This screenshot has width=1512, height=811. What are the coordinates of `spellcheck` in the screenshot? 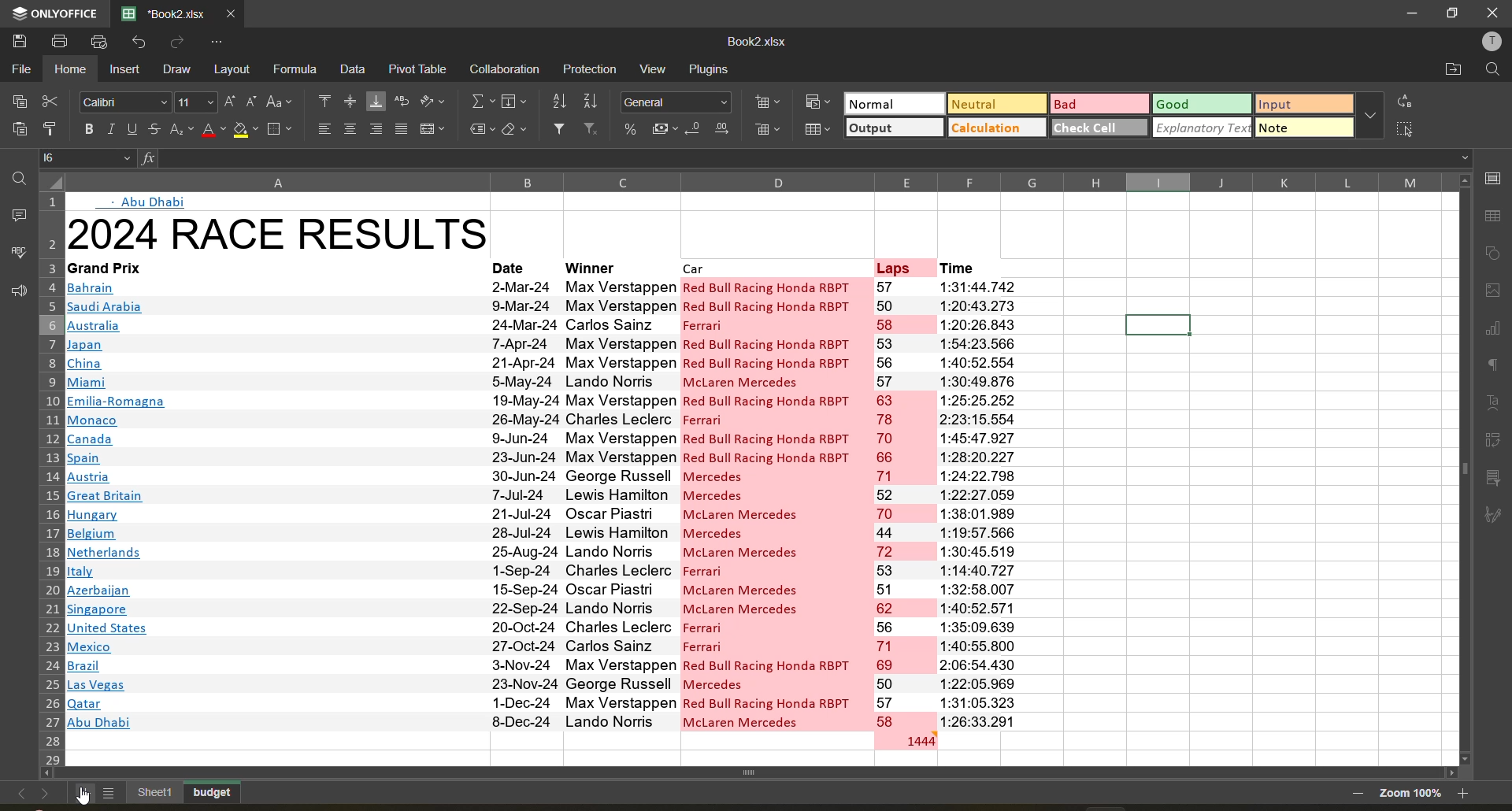 It's located at (15, 253).